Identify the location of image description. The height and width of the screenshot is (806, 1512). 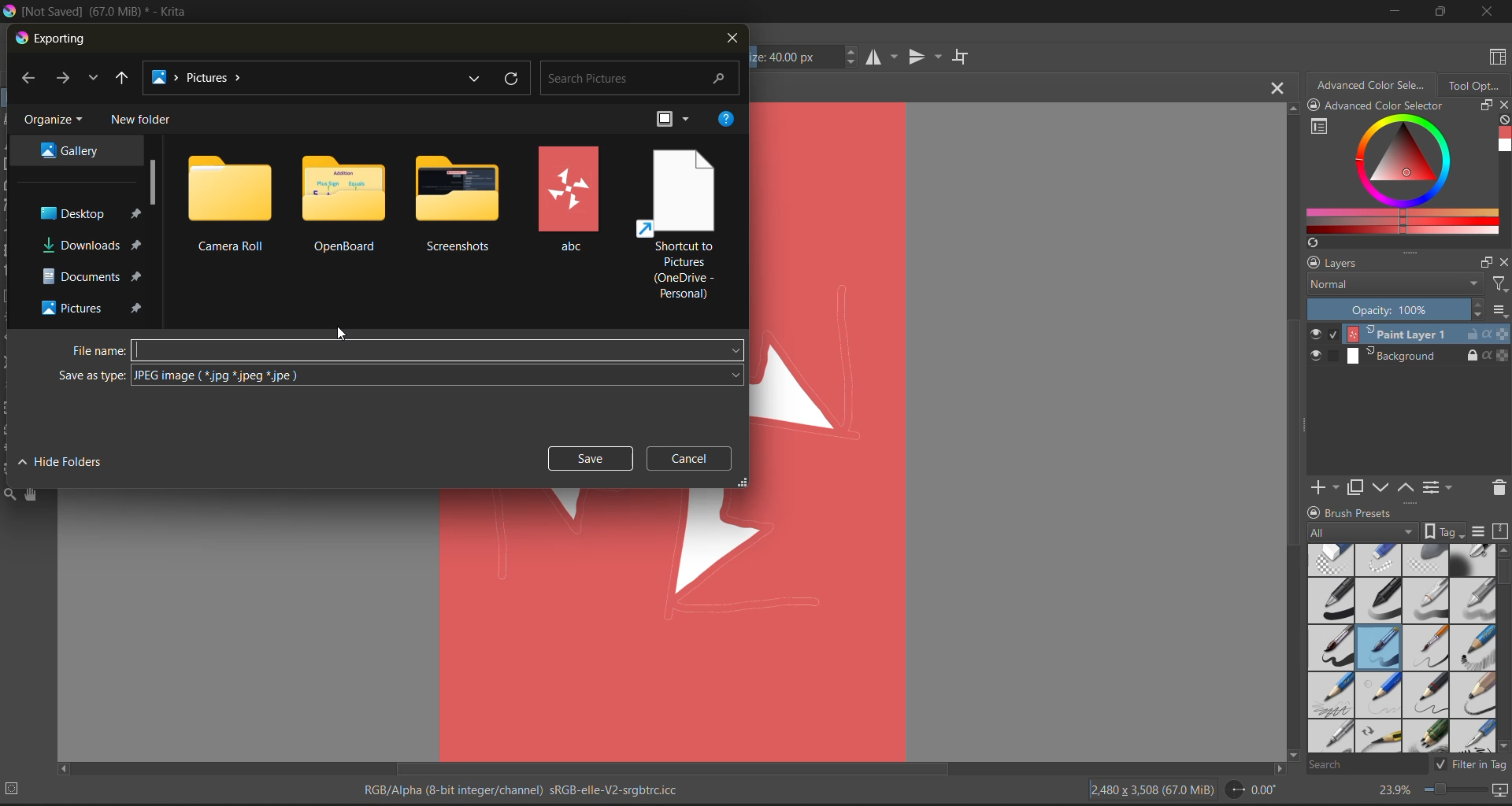
(1155, 790).